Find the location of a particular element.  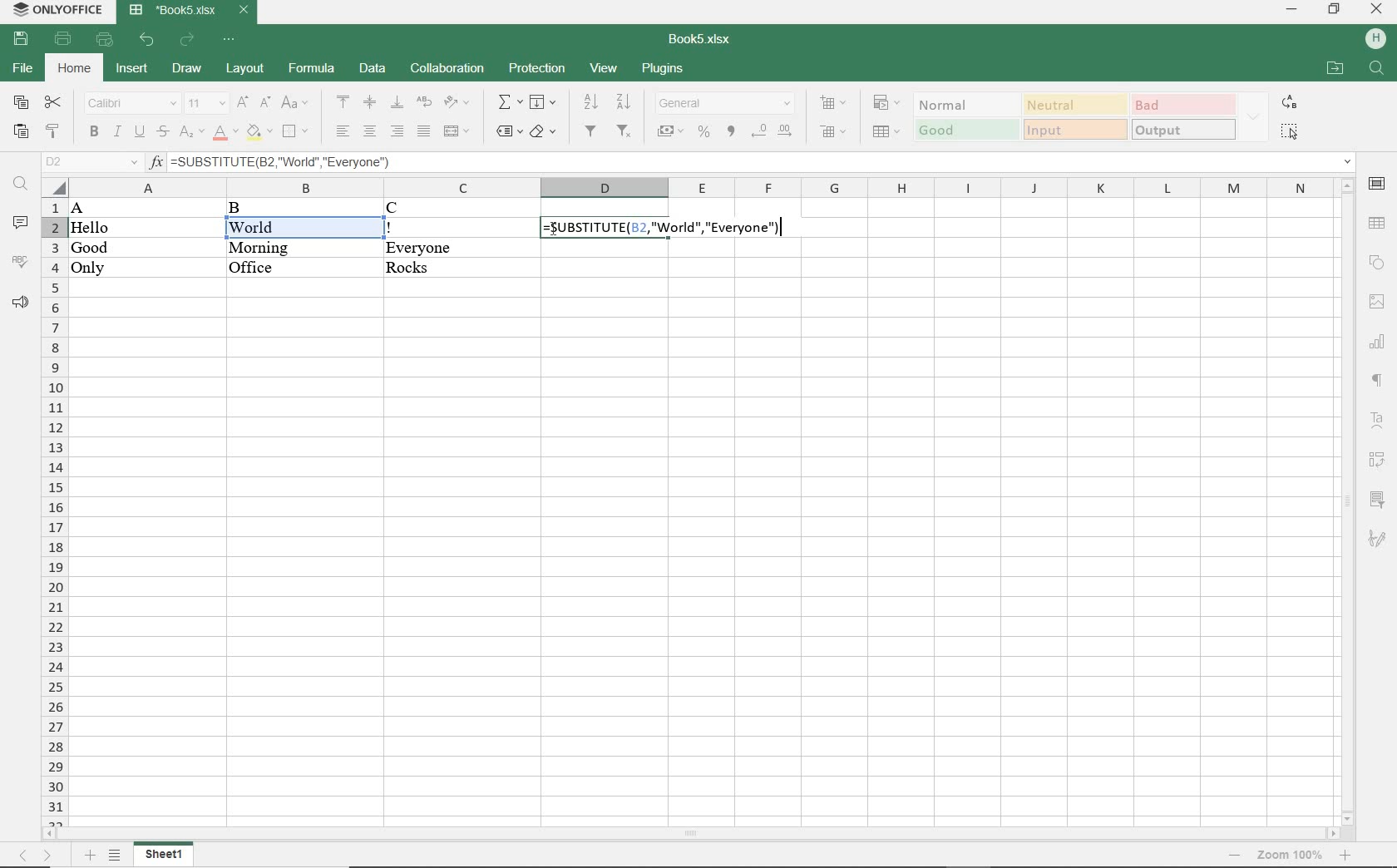

borders is located at coordinates (298, 132).